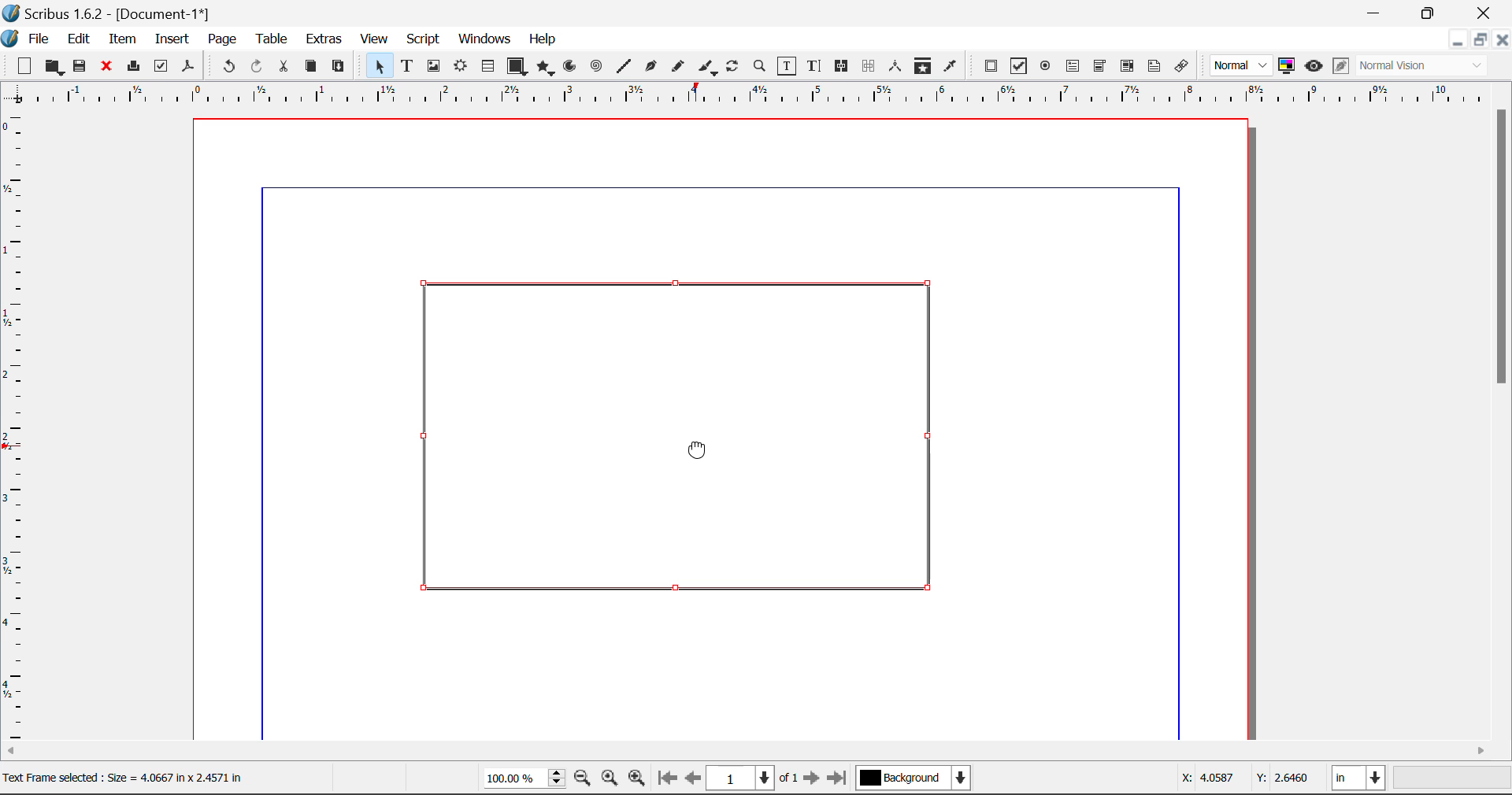  What do you see at coordinates (226, 67) in the screenshot?
I see `Undo` at bounding box center [226, 67].